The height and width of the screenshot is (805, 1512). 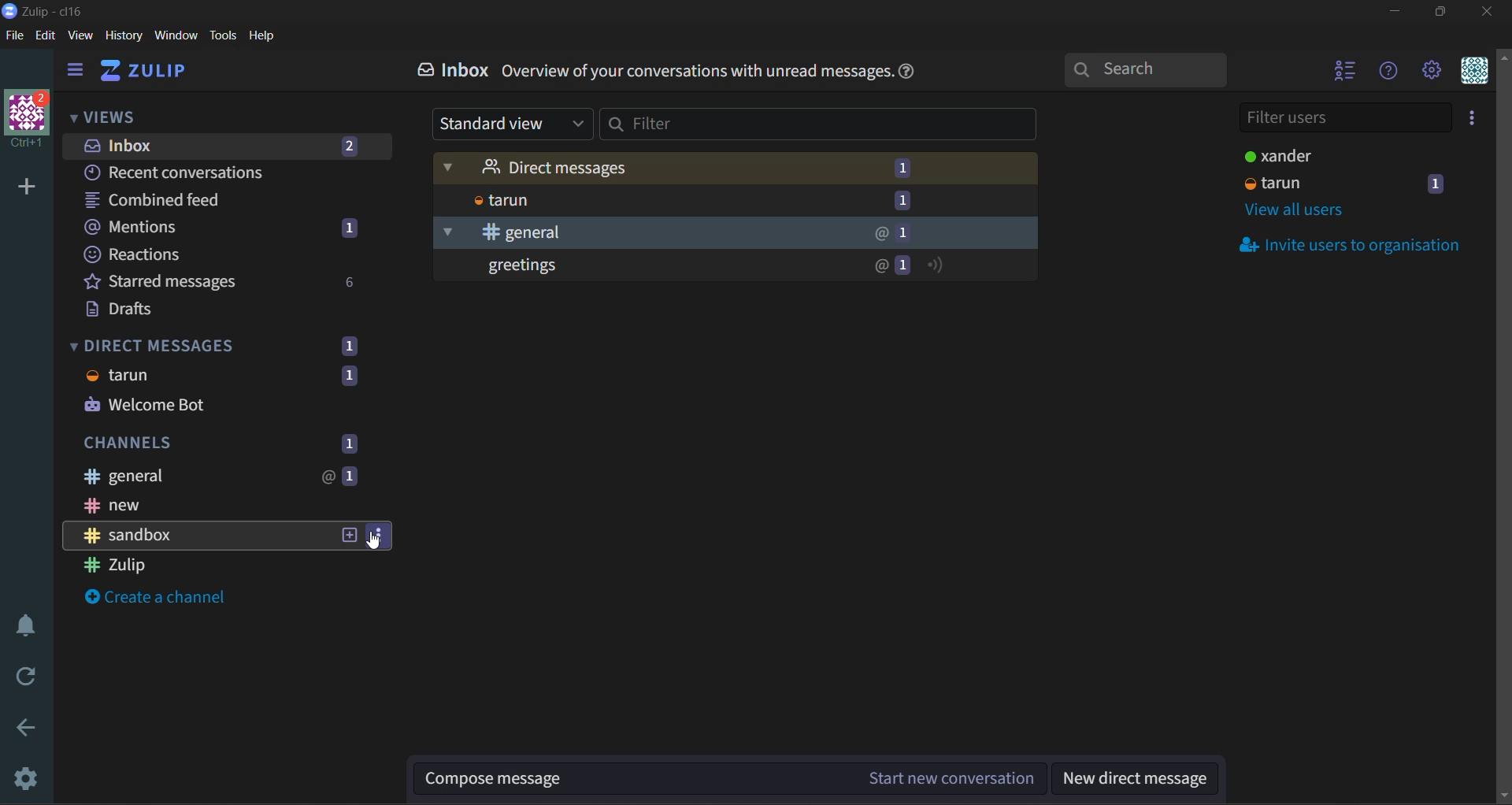 What do you see at coordinates (1341, 74) in the screenshot?
I see `hide user list` at bounding box center [1341, 74].